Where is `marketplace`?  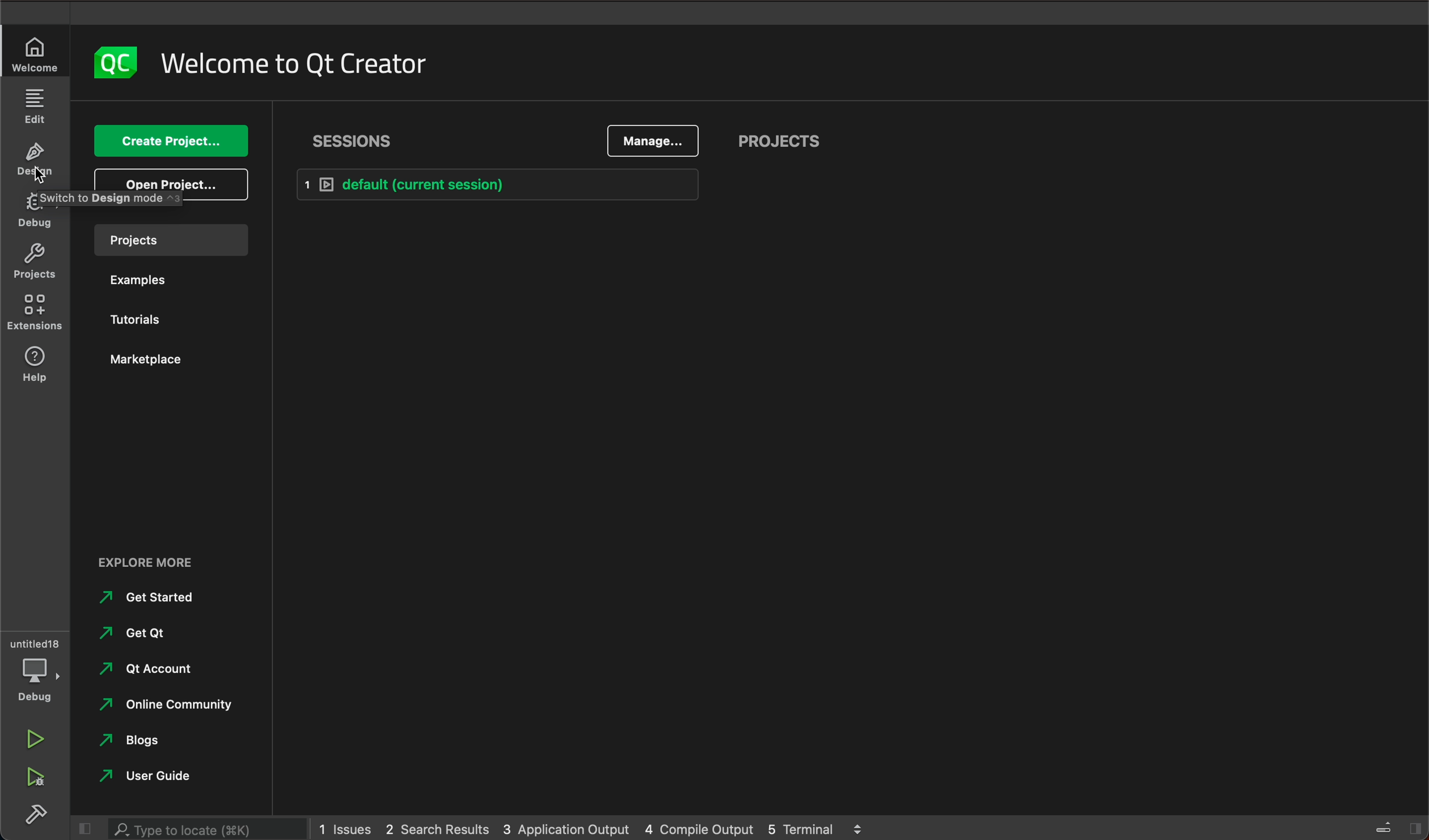
marketplace is located at coordinates (147, 358).